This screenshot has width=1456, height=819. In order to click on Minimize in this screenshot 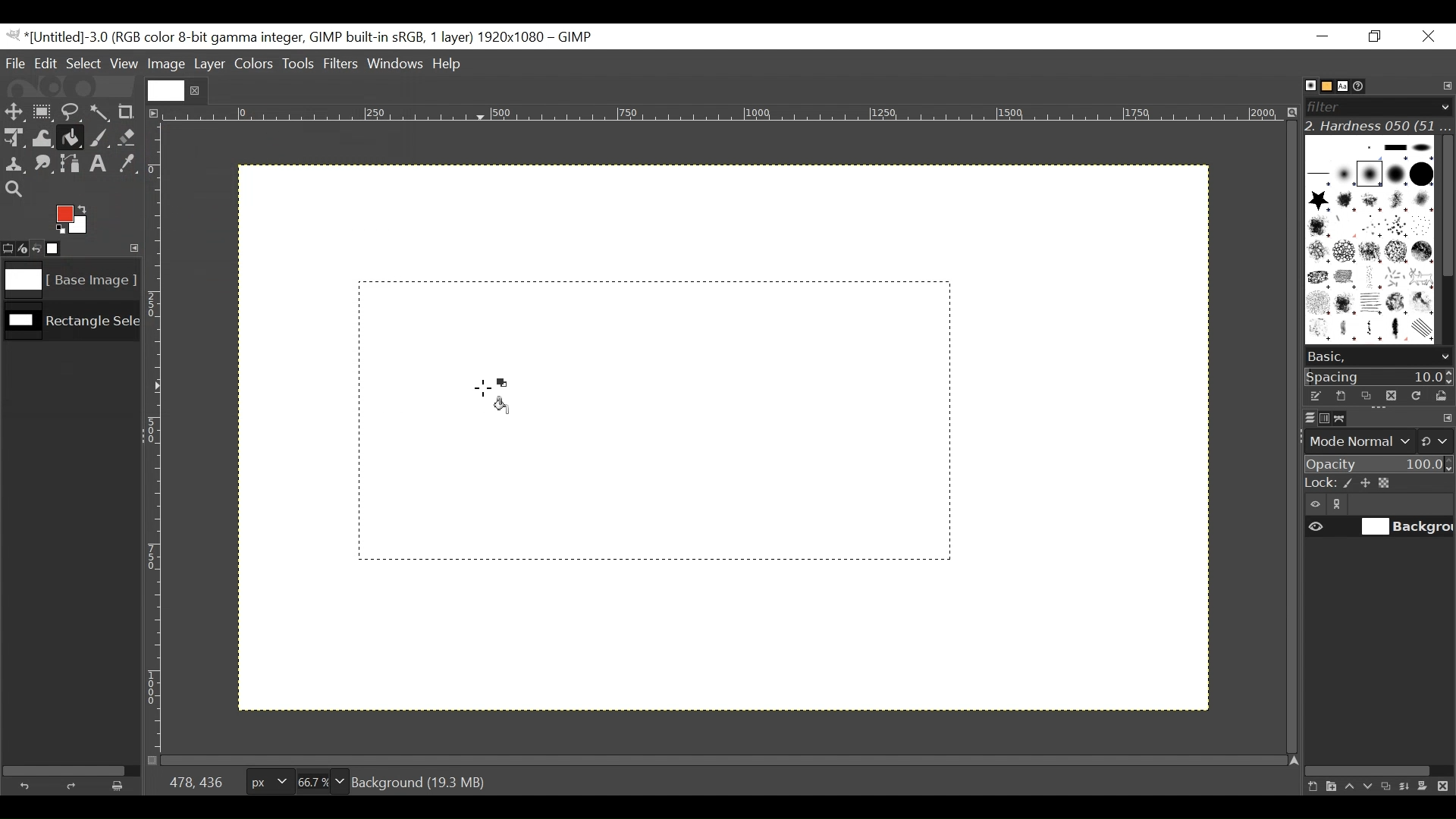, I will do `click(1323, 36)`.